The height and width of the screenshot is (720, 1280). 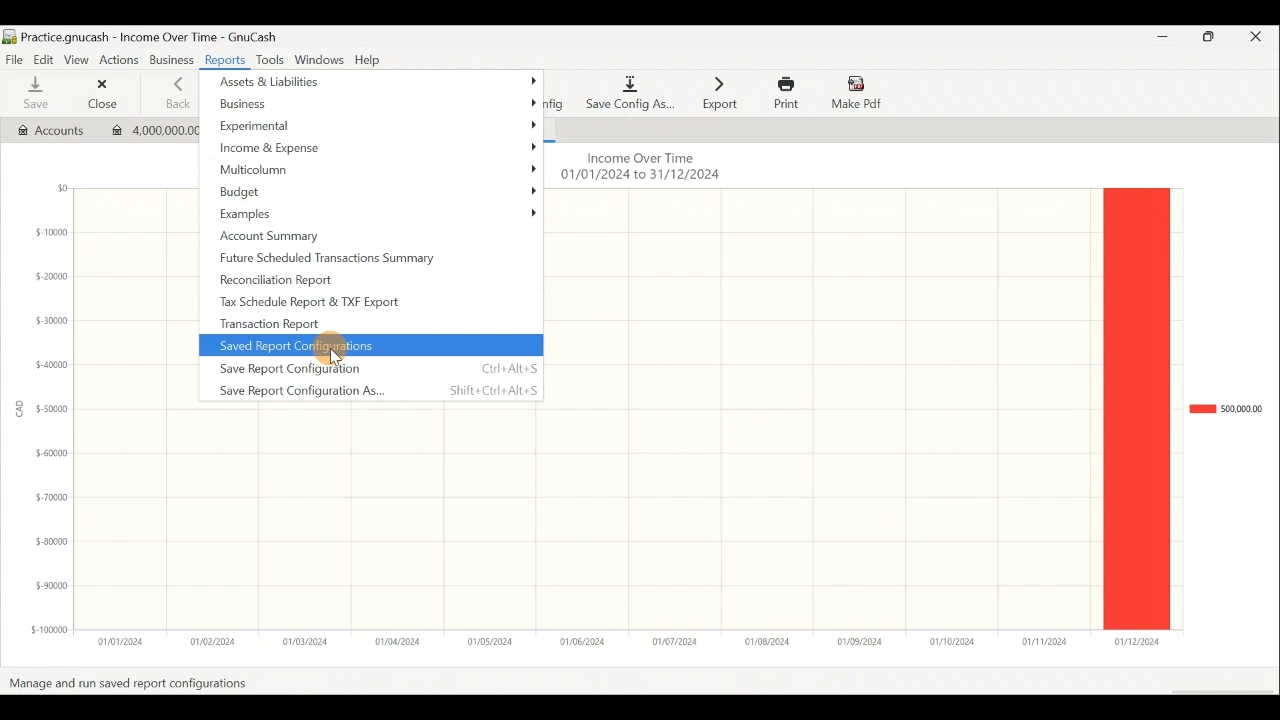 What do you see at coordinates (858, 91) in the screenshot?
I see `Make Pdf` at bounding box center [858, 91].